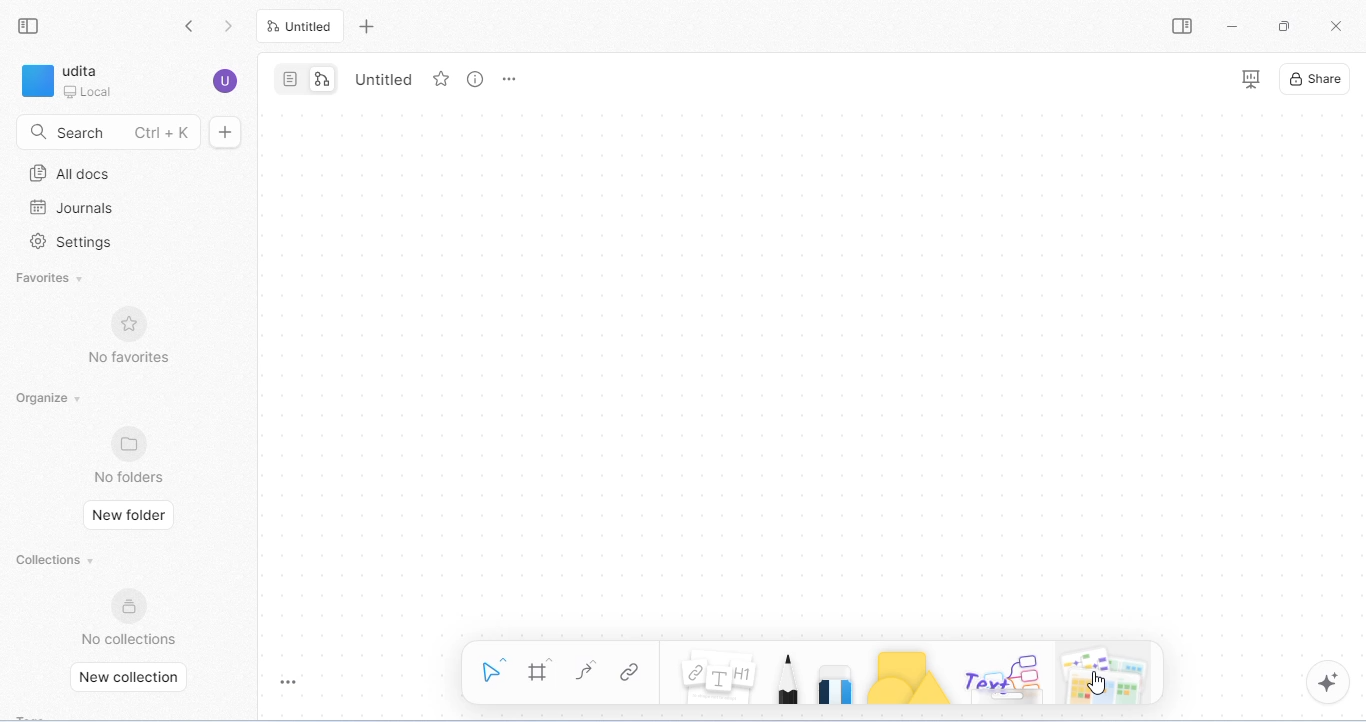 The width and height of the screenshot is (1366, 722). I want to click on no favorites, so click(126, 333).